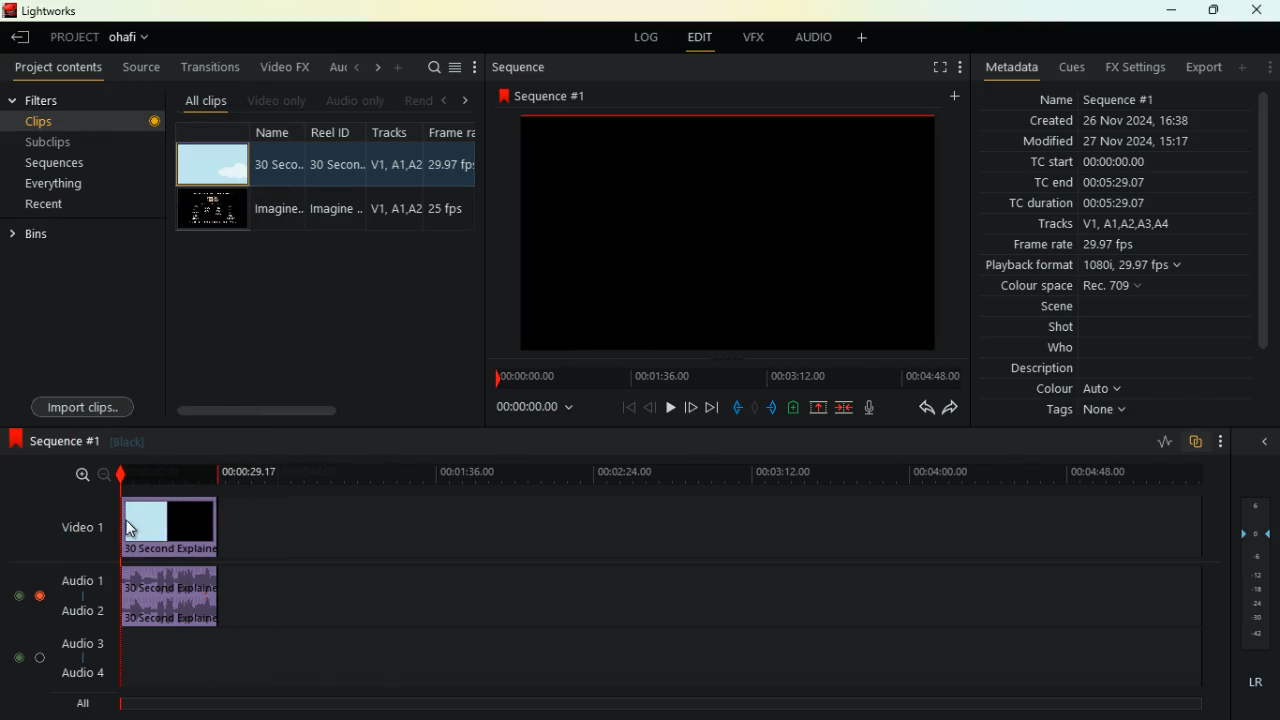  What do you see at coordinates (61, 204) in the screenshot?
I see `recent` at bounding box center [61, 204].